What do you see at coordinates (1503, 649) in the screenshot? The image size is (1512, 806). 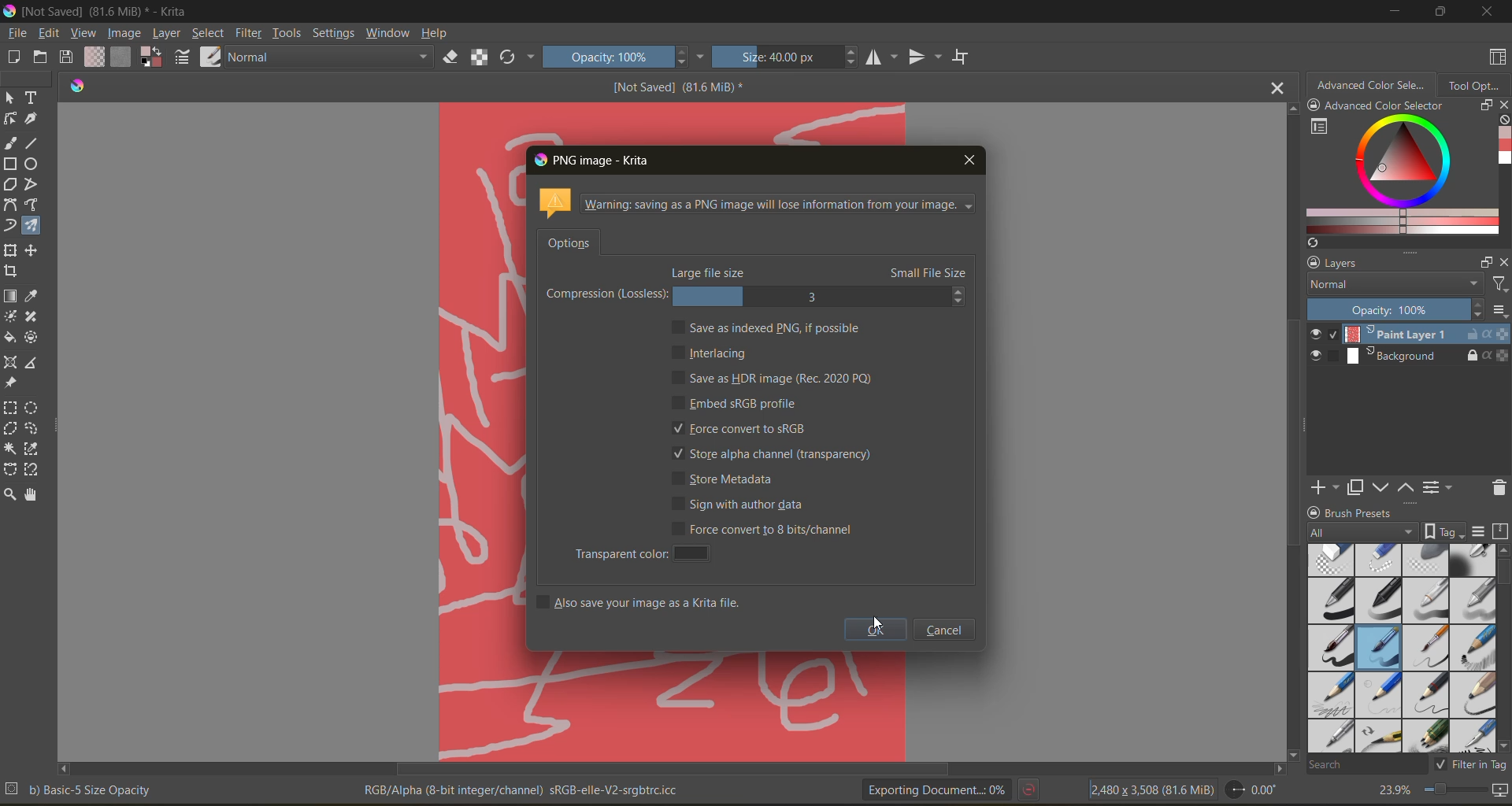 I see `vertical scroll bar` at bounding box center [1503, 649].